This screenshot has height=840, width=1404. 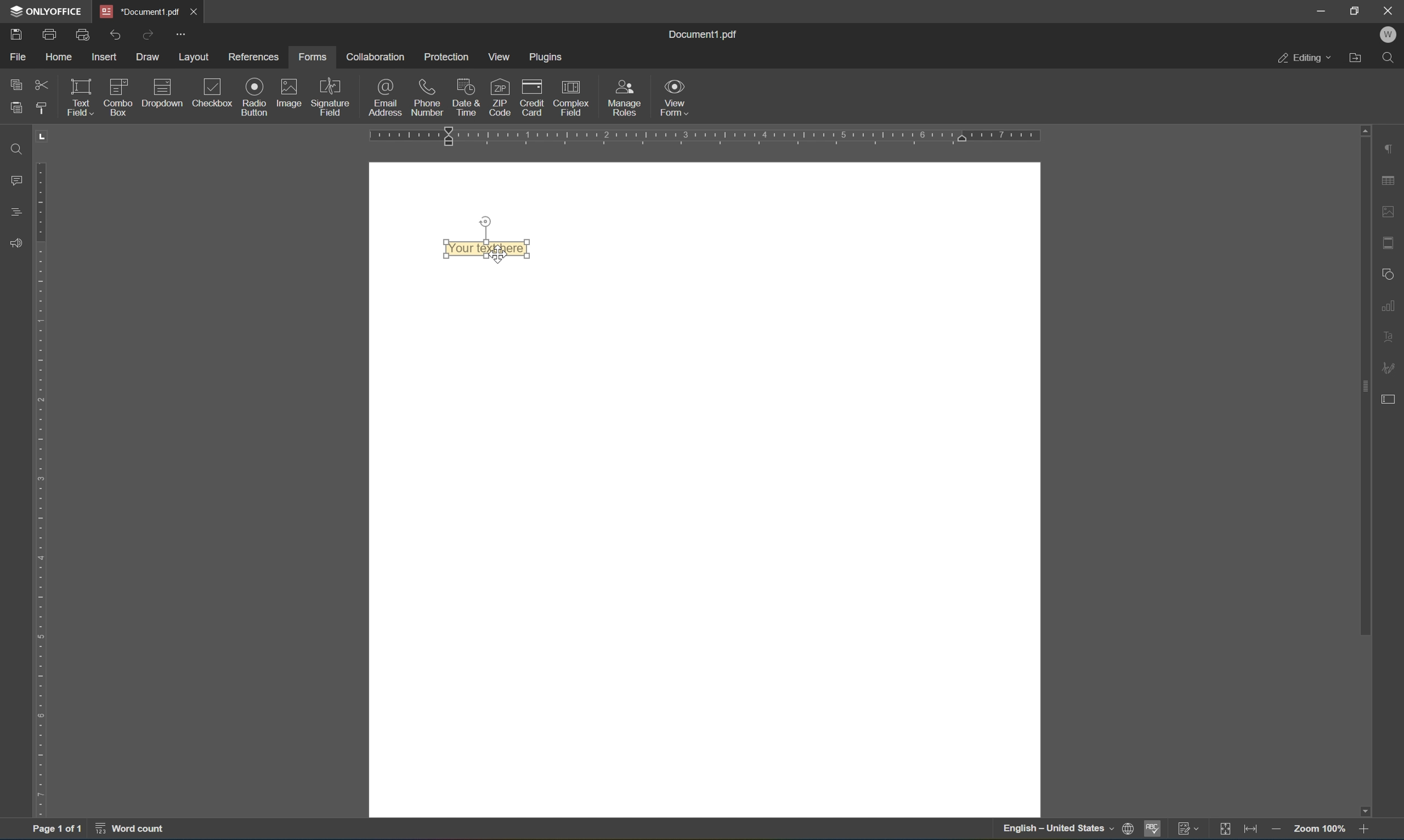 I want to click on text art settings, so click(x=1388, y=340).